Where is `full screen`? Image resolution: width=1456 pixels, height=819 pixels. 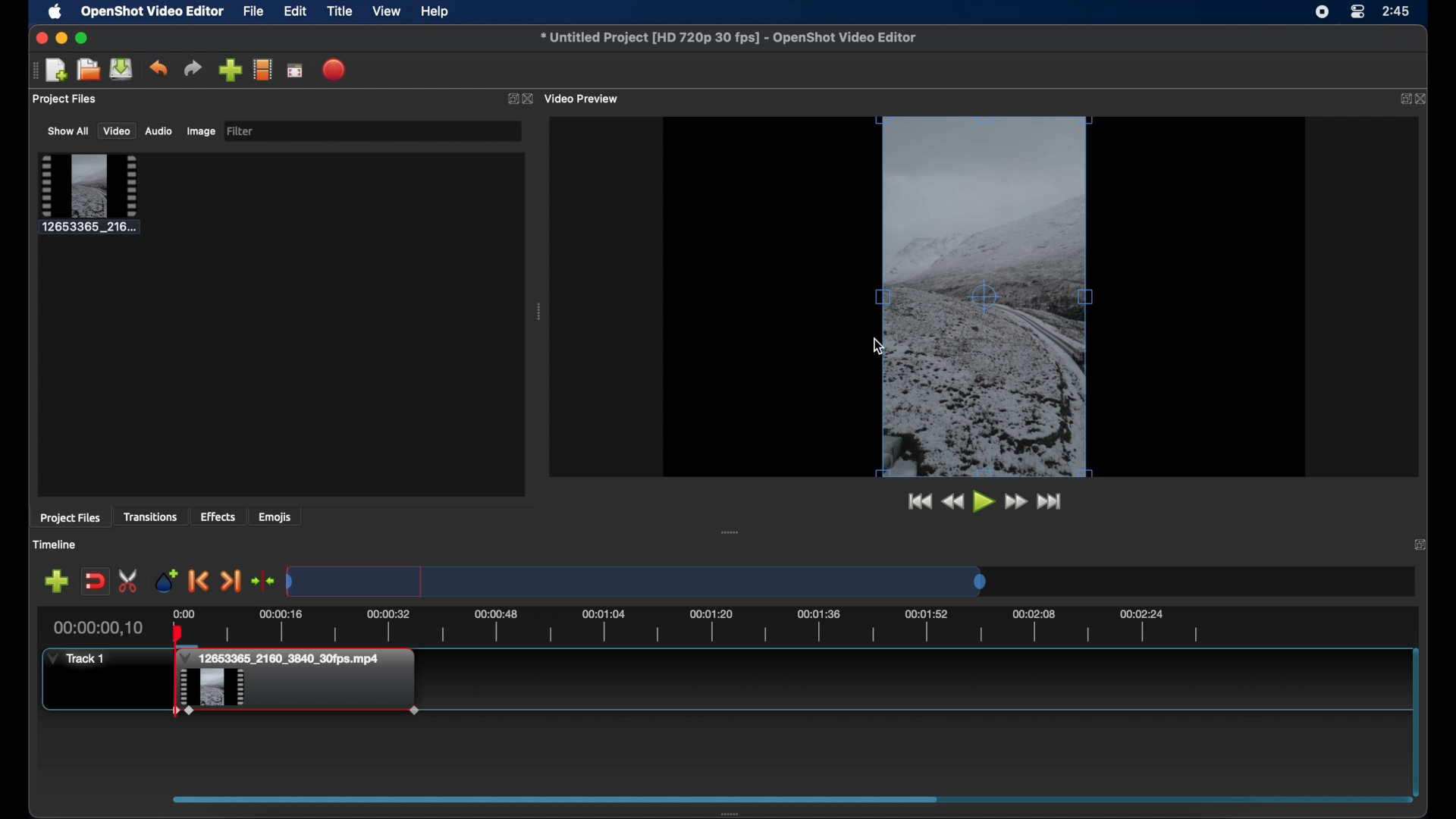
full screen is located at coordinates (295, 71).